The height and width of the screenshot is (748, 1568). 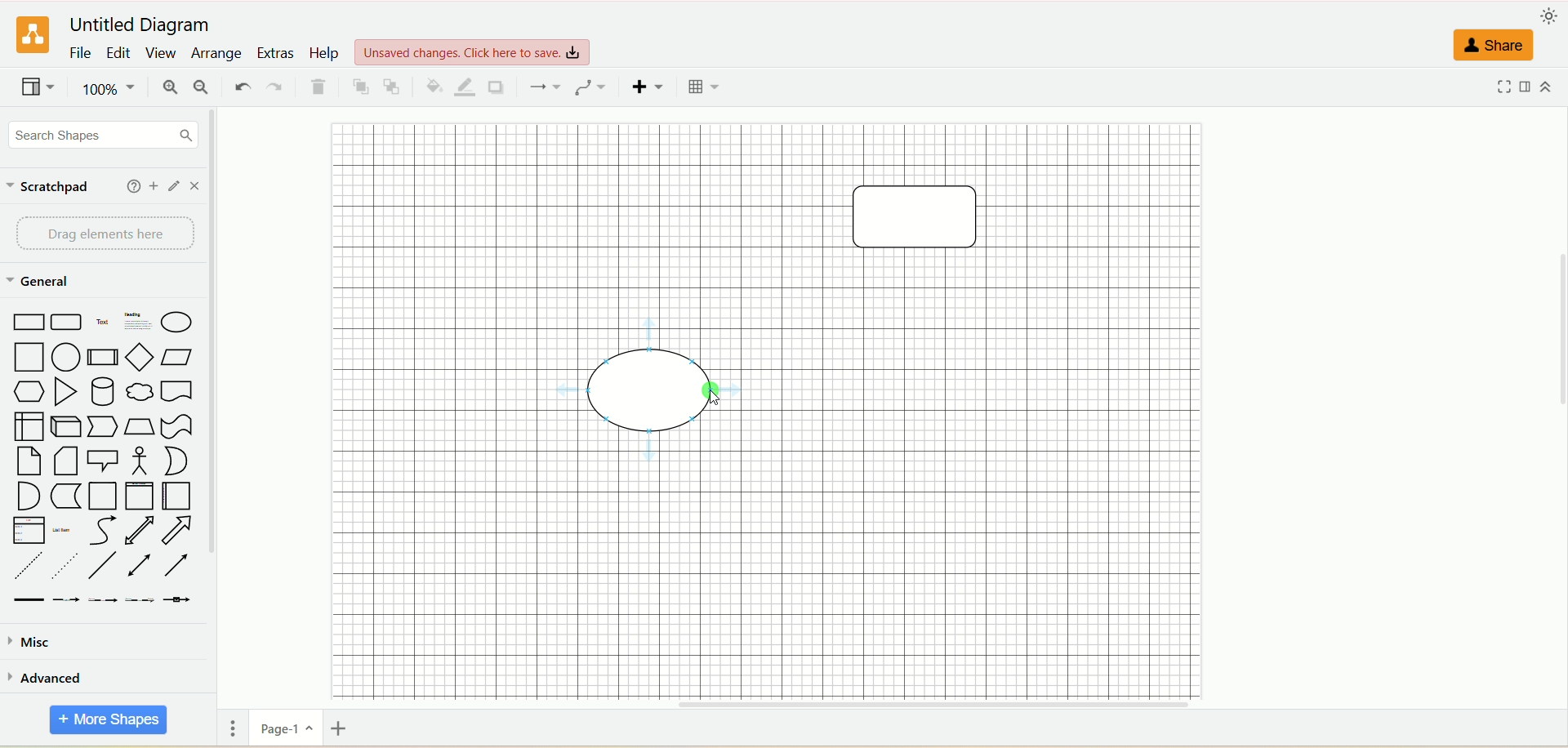 I want to click on file, so click(x=79, y=55).